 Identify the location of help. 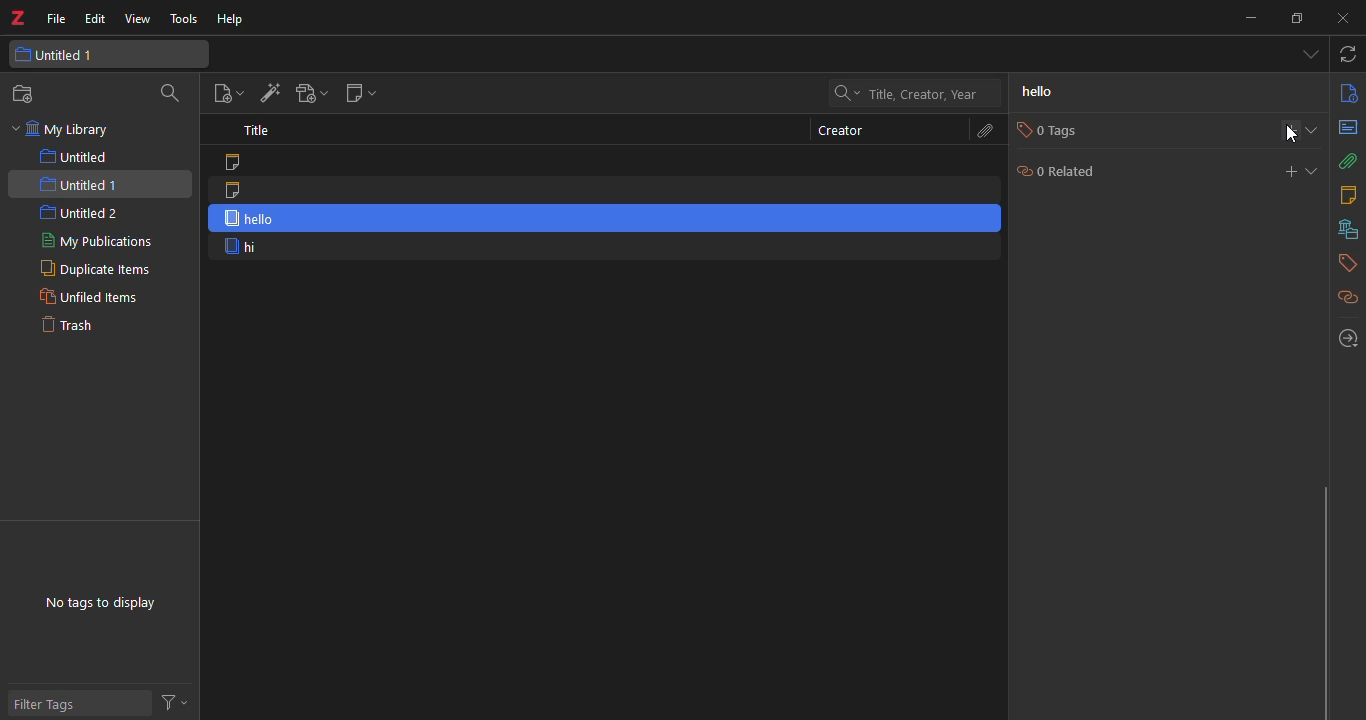
(234, 19).